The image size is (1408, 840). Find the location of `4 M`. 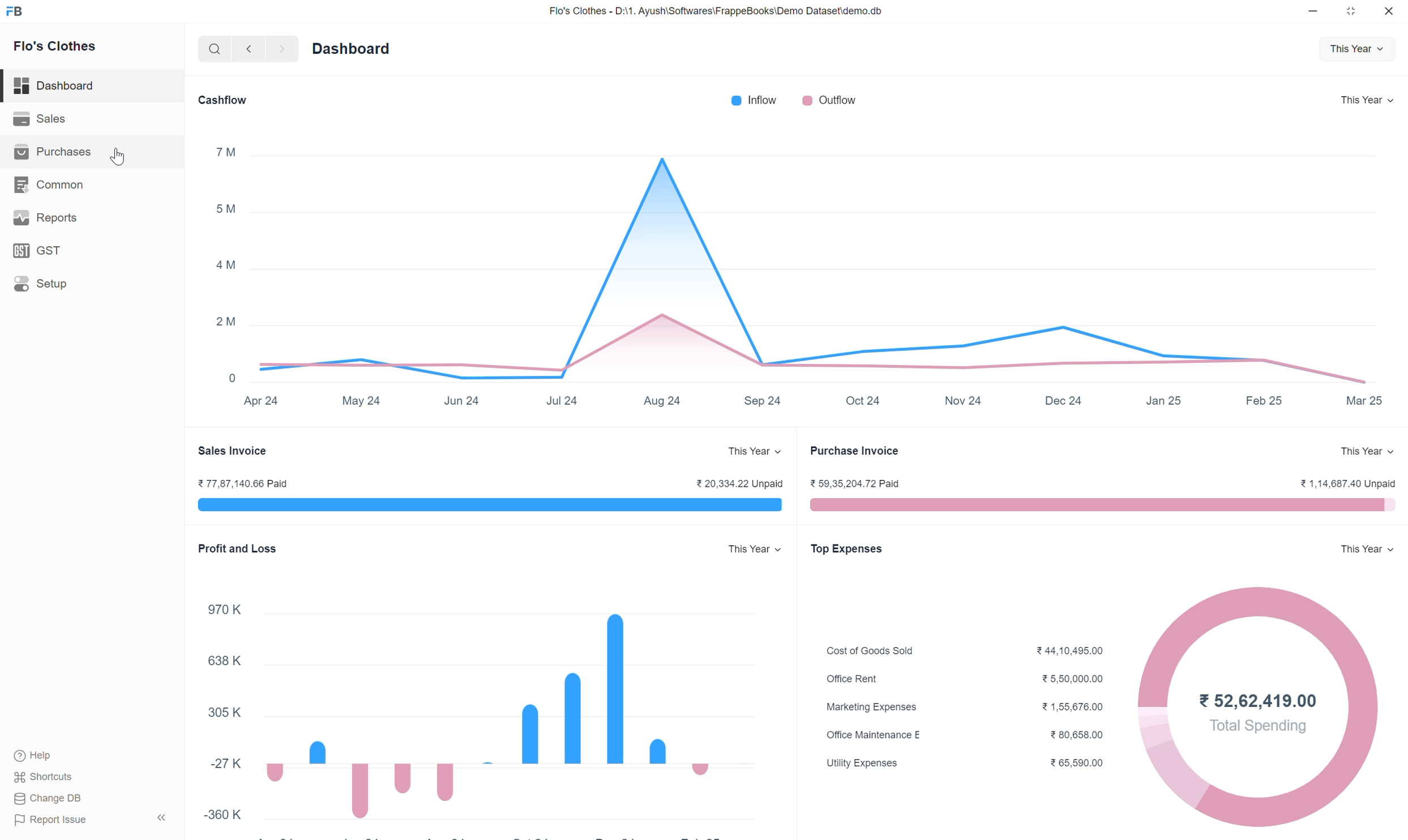

4 M is located at coordinates (226, 265).